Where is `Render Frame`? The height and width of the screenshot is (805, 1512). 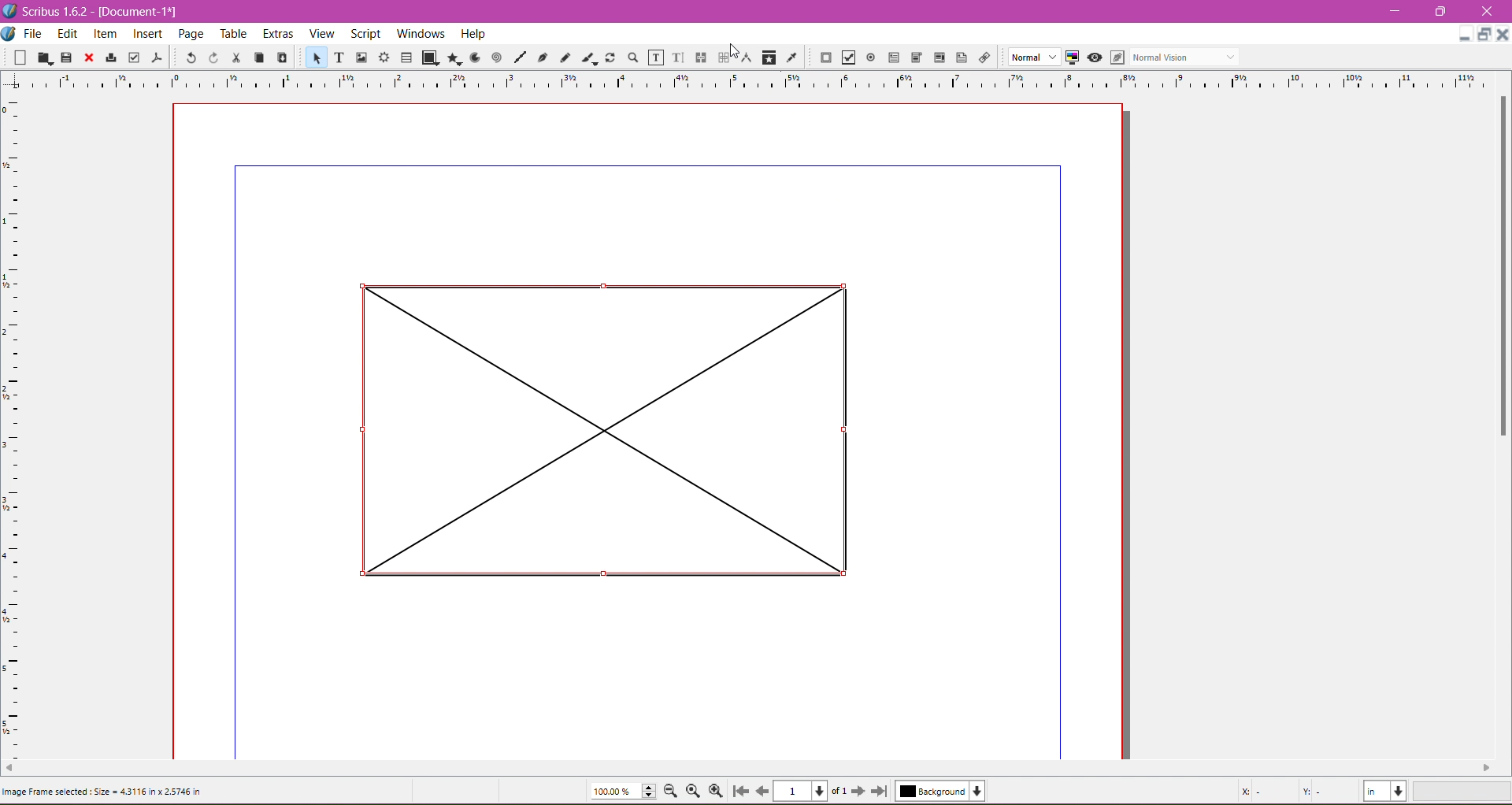
Render Frame is located at coordinates (385, 57).